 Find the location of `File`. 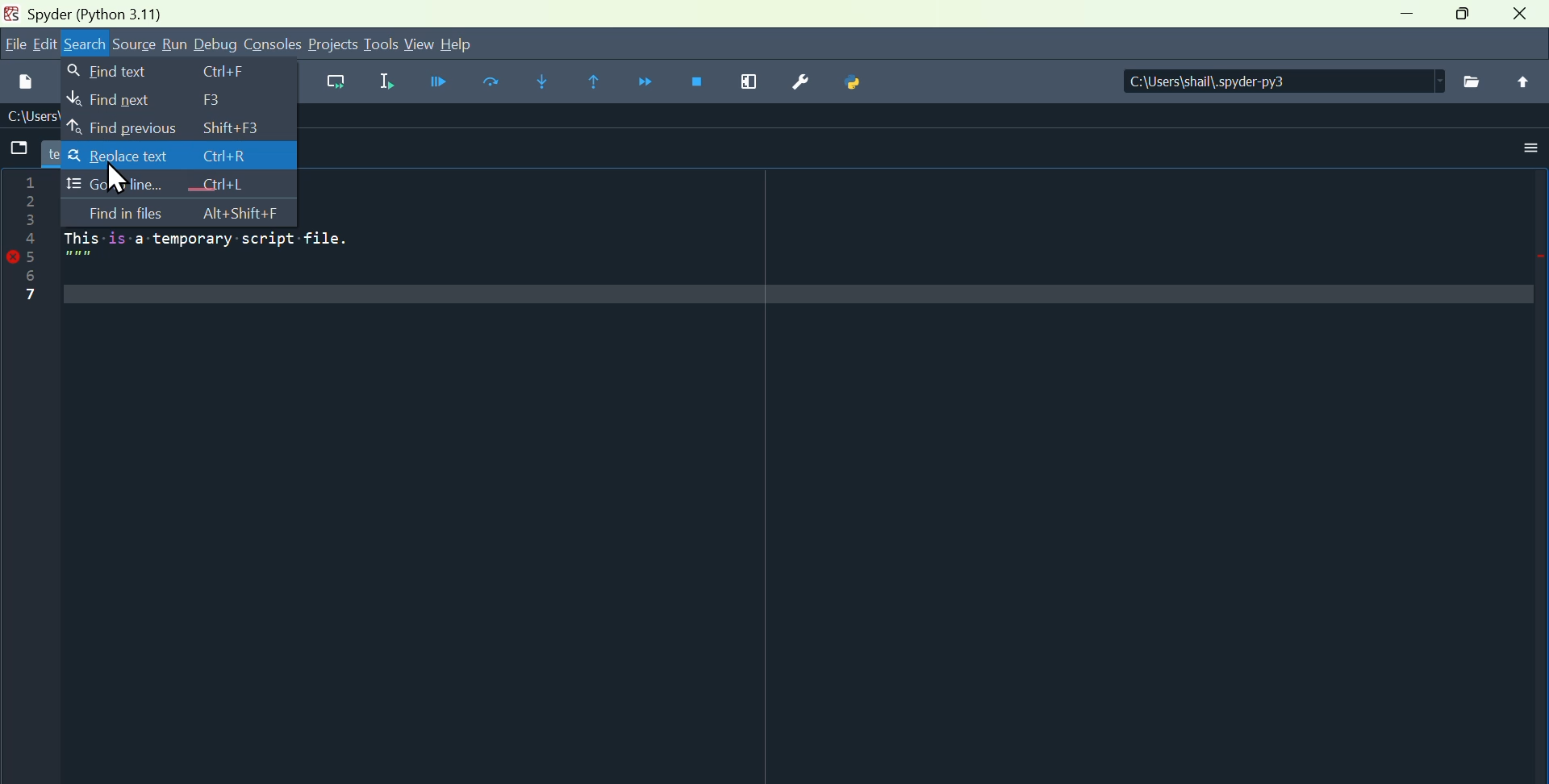

File is located at coordinates (1468, 79).